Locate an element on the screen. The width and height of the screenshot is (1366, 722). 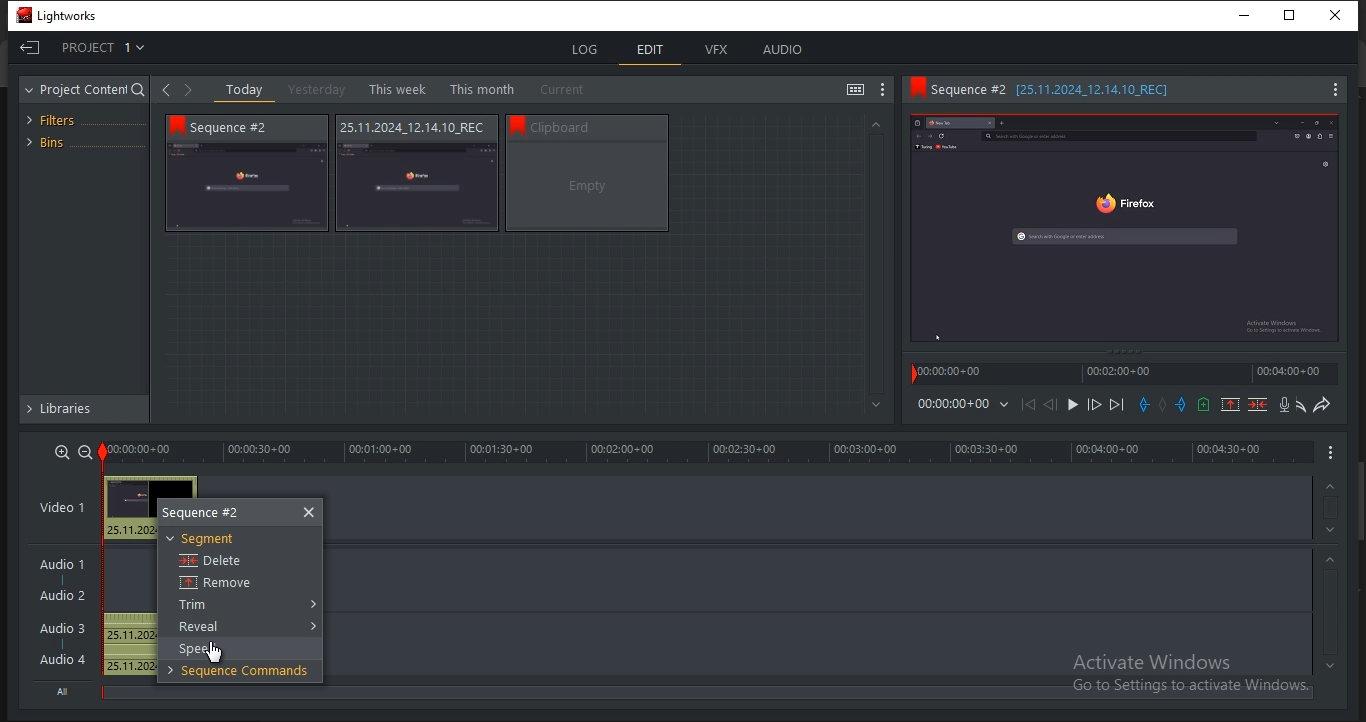
move forward is located at coordinates (1119, 405).